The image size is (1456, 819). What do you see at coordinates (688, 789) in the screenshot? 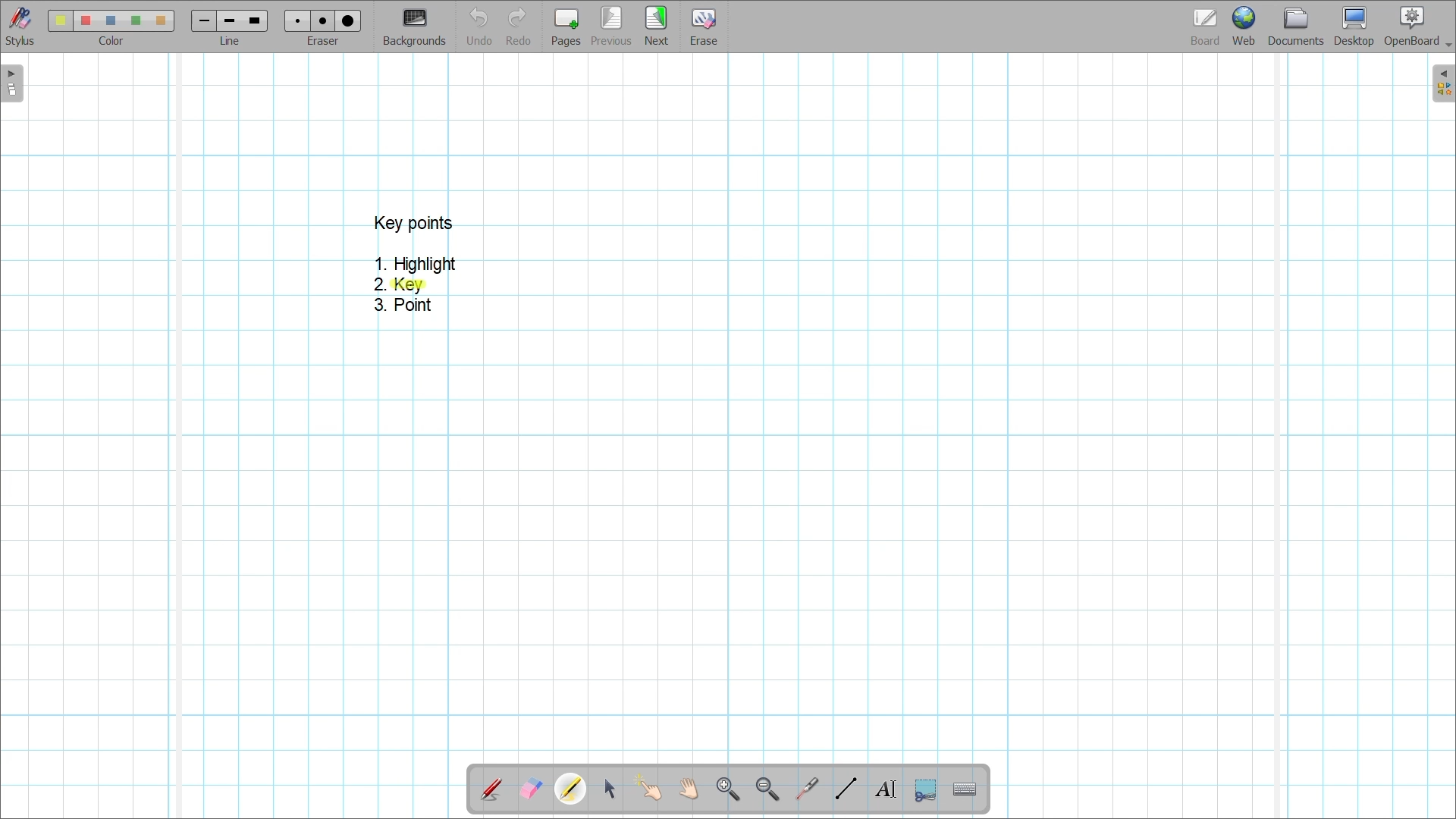
I see `Scroll page` at bounding box center [688, 789].